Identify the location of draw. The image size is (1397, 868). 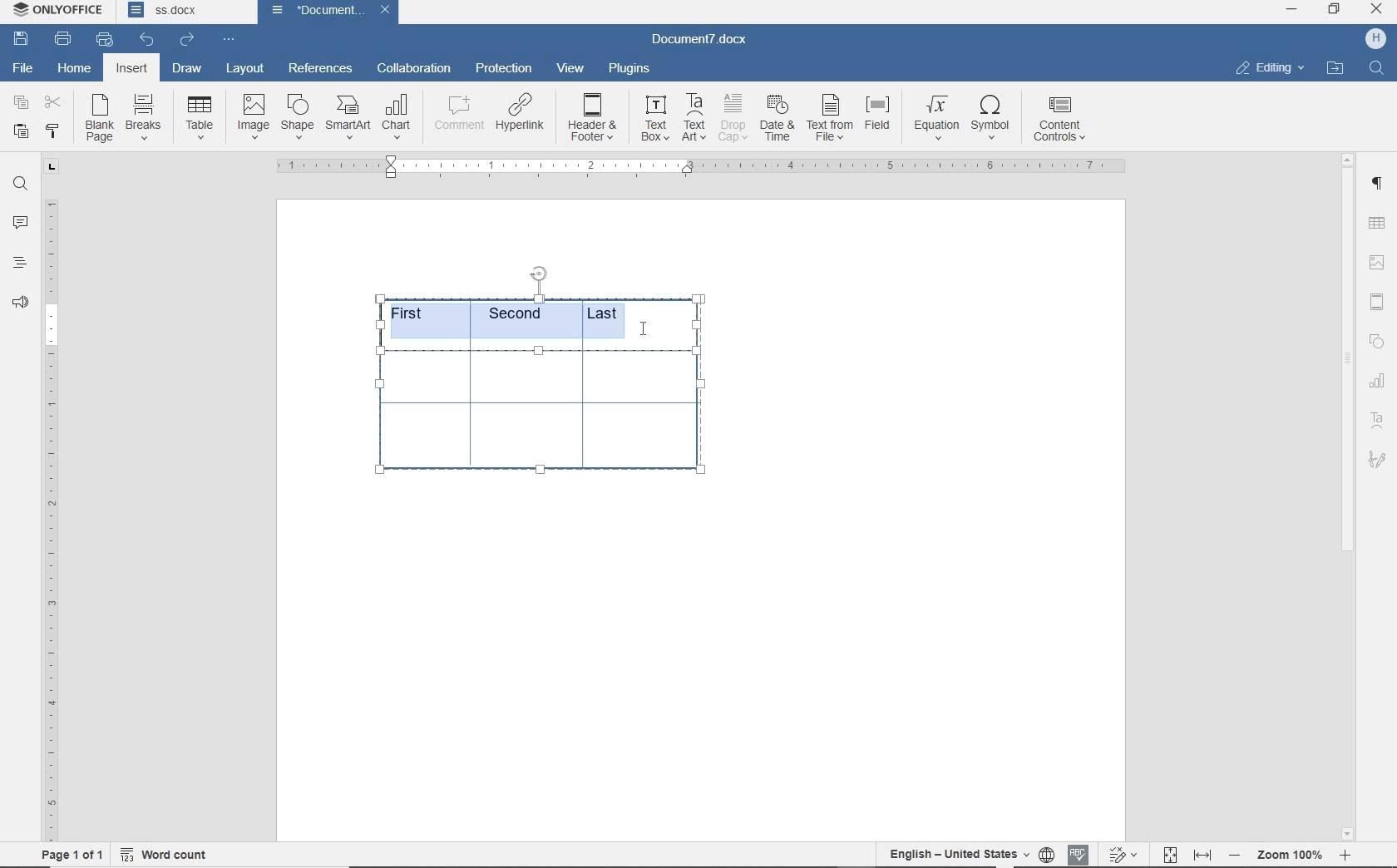
(185, 68).